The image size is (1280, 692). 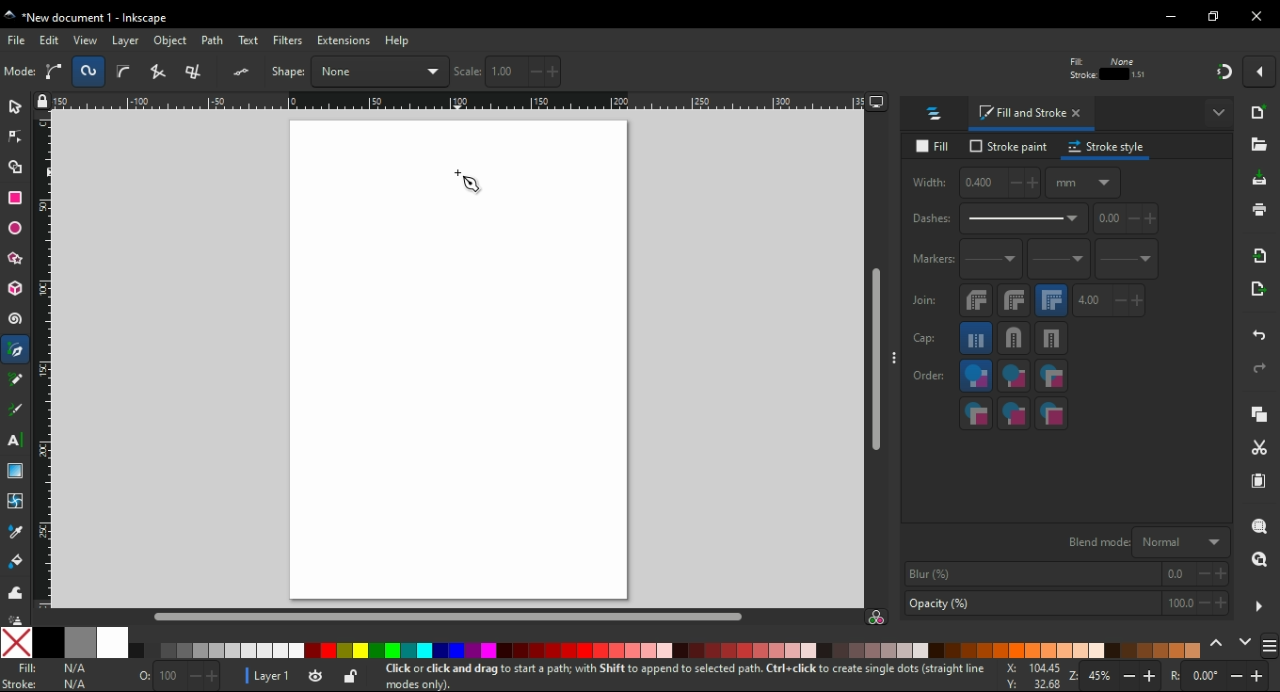 I want to click on close window, so click(x=1257, y=16).